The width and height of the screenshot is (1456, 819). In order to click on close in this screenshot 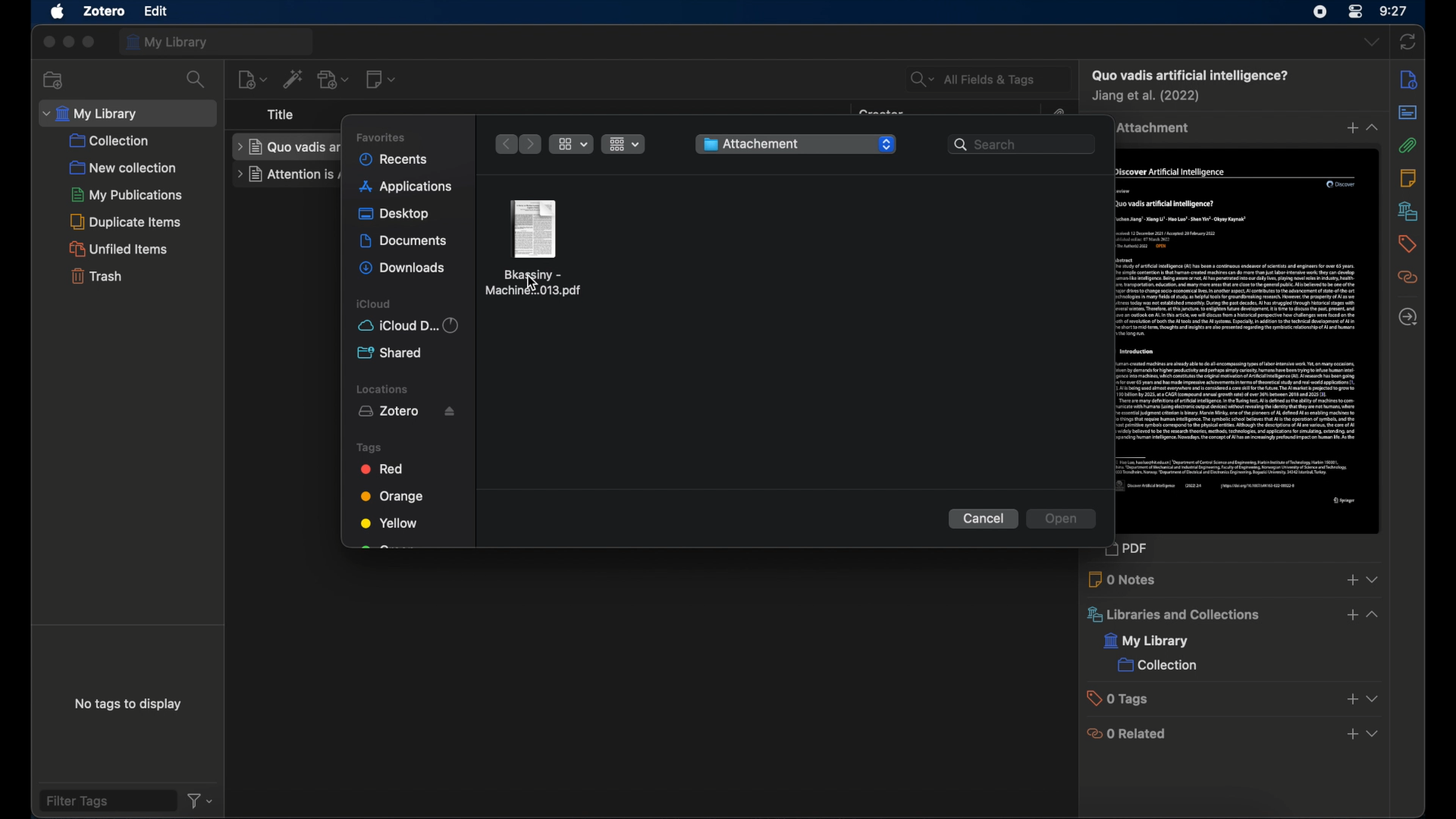, I will do `click(46, 42)`.